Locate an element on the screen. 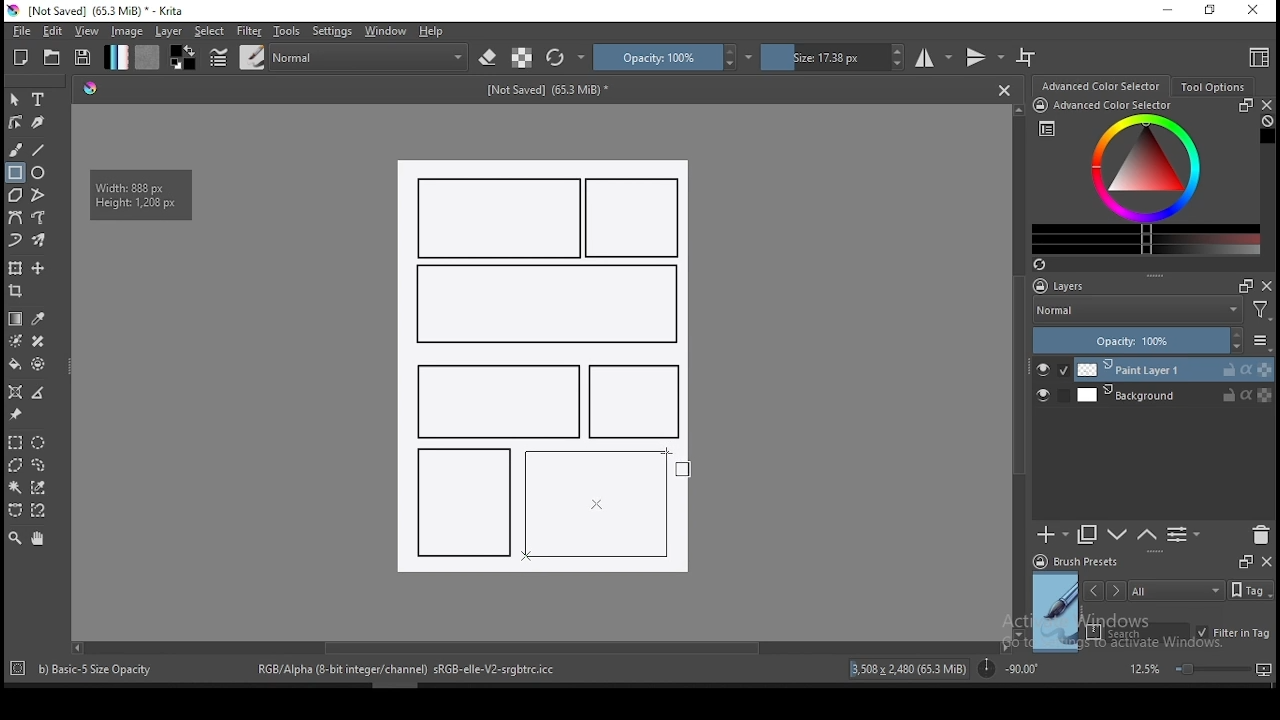 Image resolution: width=1280 pixels, height=720 pixels. new rectangle is located at coordinates (464, 500).